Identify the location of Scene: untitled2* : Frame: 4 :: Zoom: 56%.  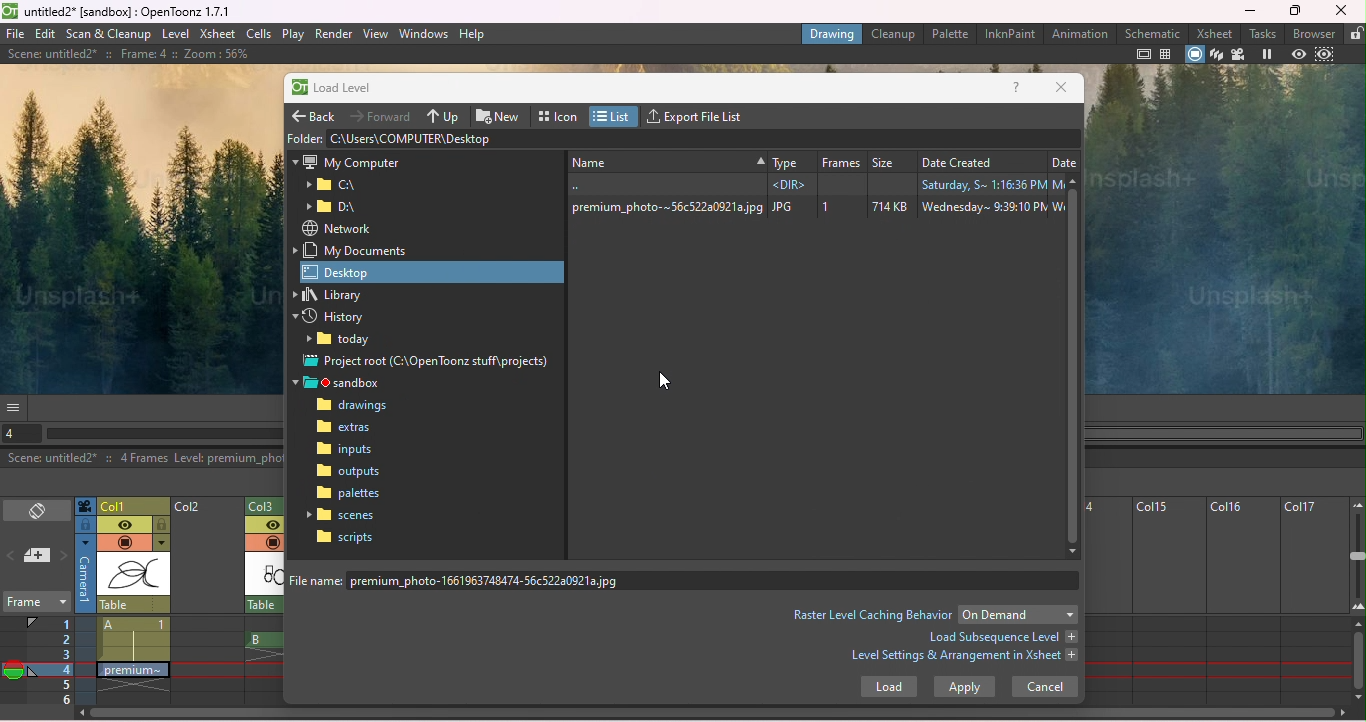
(127, 54).